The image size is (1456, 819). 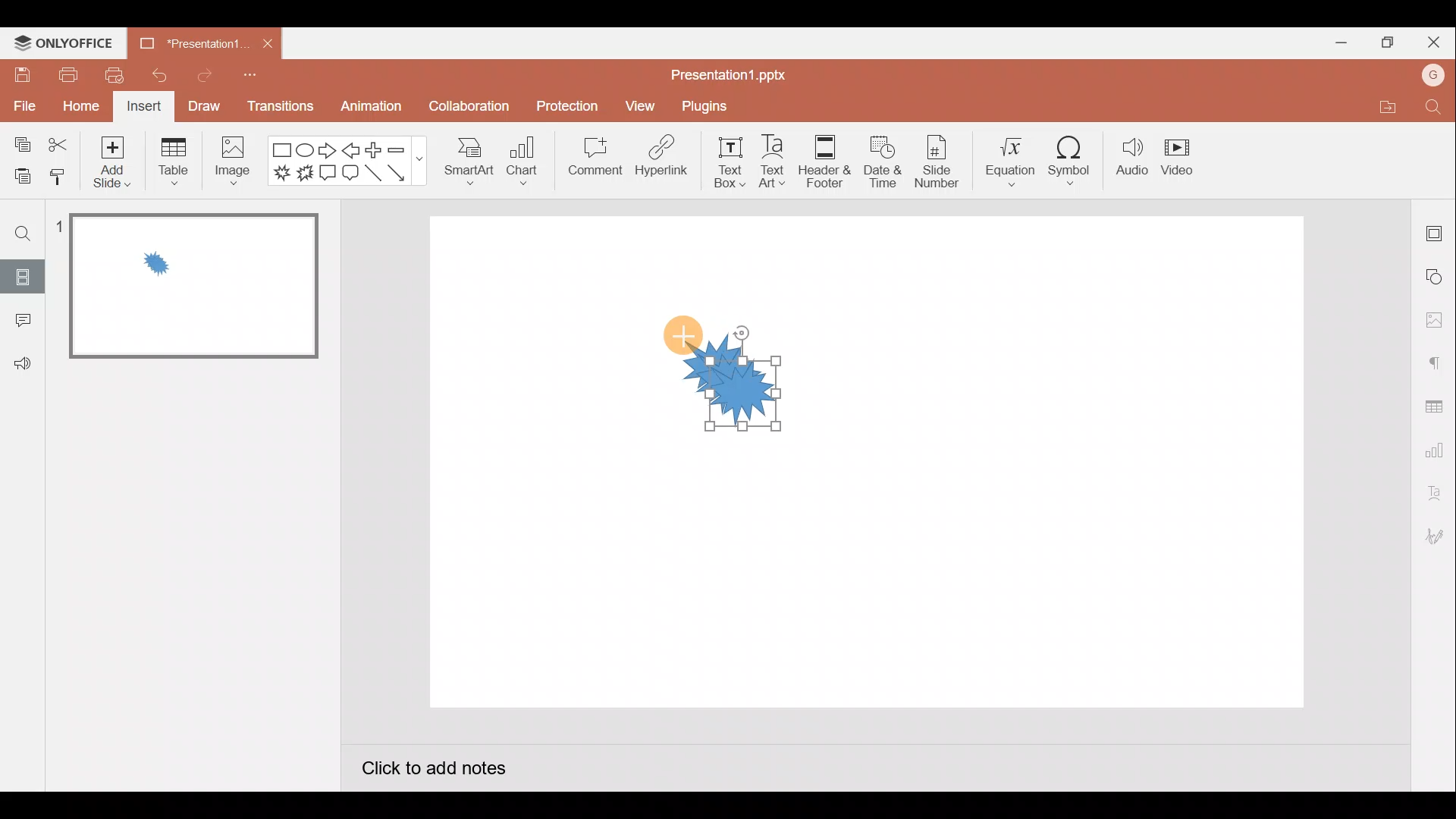 I want to click on Presentation1.pptx, so click(x=725, y=74).